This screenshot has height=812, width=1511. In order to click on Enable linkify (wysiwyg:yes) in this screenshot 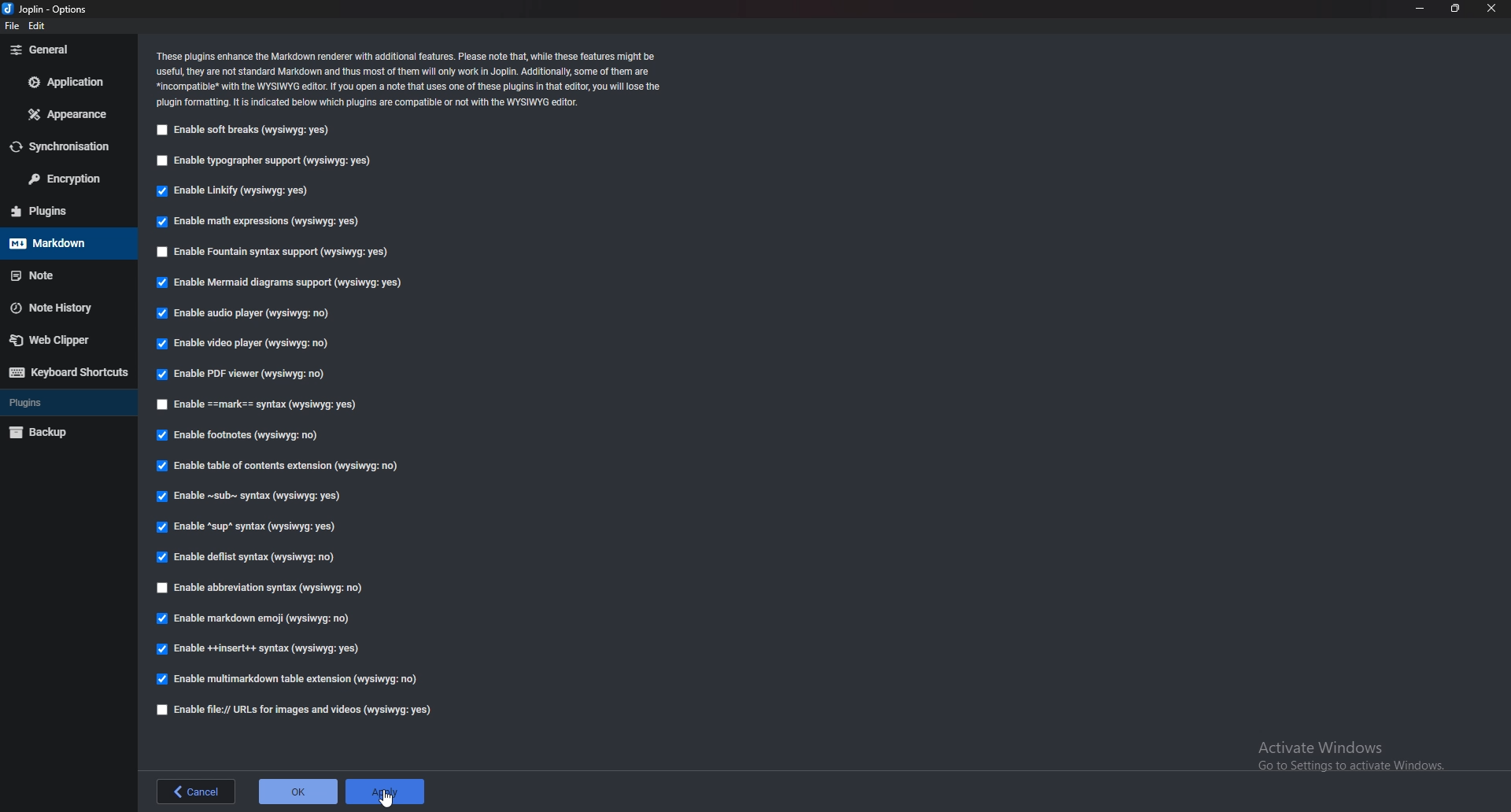, I will do `click(231, 193)`.